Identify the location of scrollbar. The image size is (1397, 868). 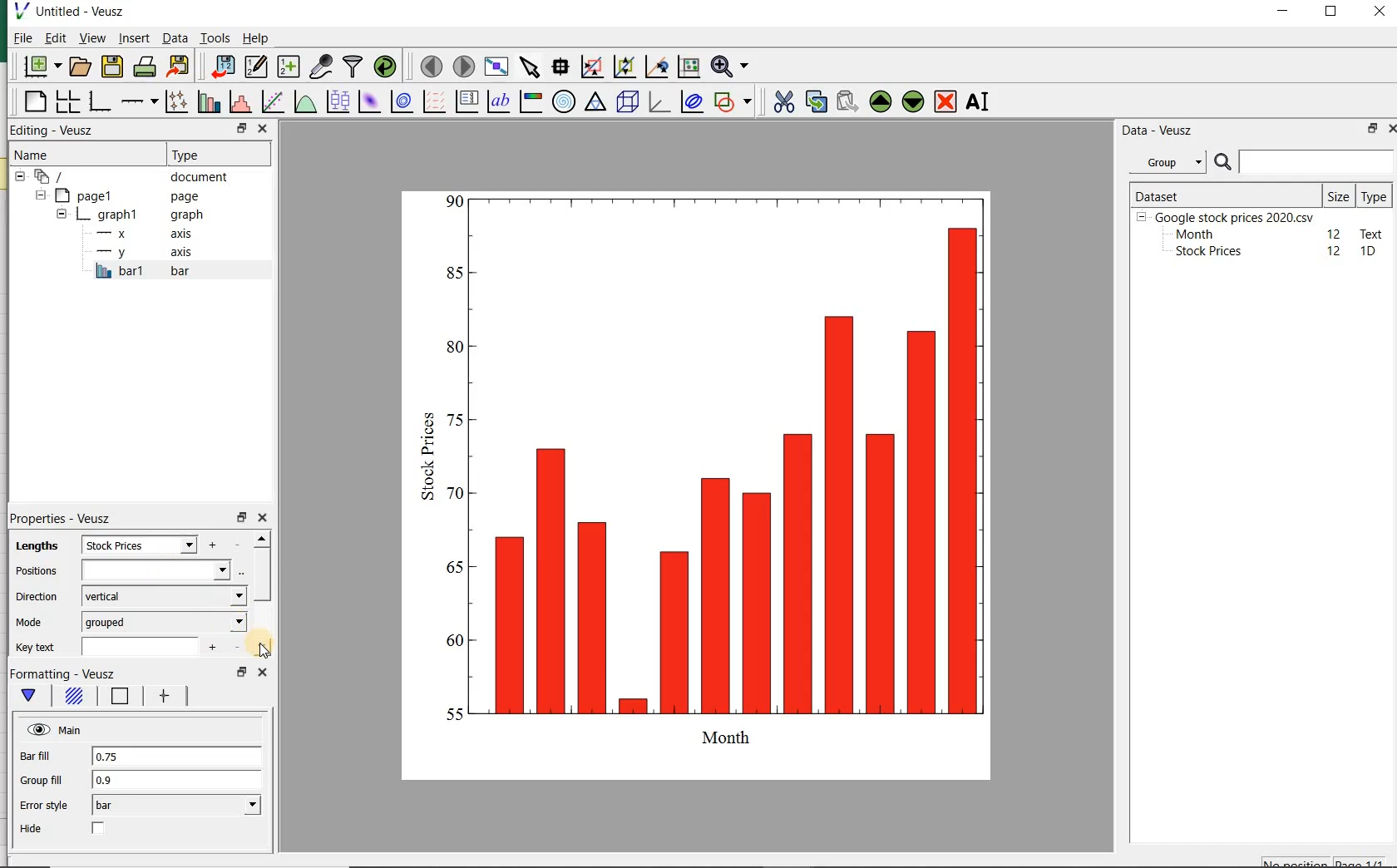
(261, 595).